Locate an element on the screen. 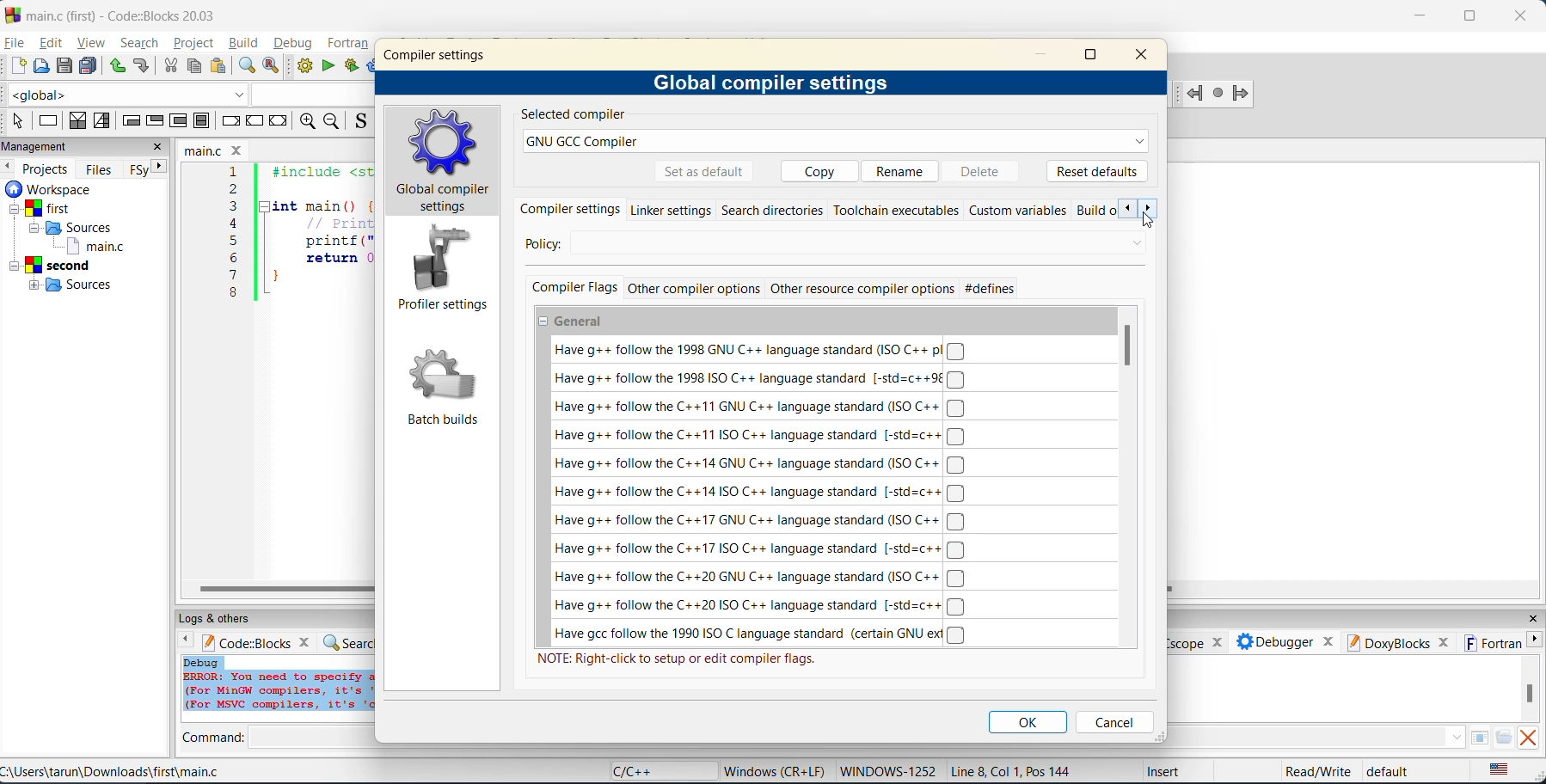  Have g++ follow the C++20 GNU C++ language standard (ISO C++  is located at coordinates (759, 579).